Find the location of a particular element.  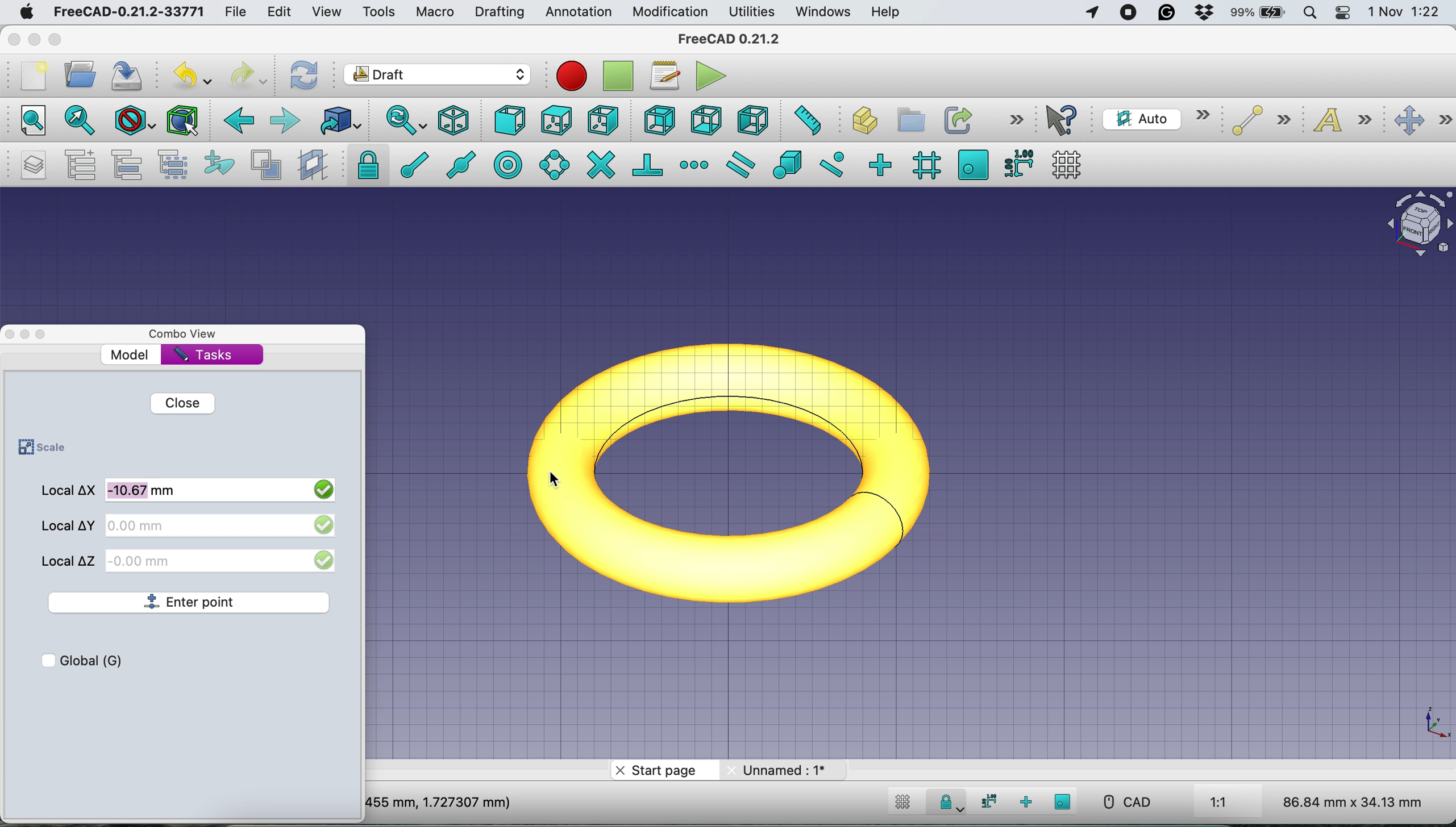

Toggle Overlay is located at coordinates (47, 335).